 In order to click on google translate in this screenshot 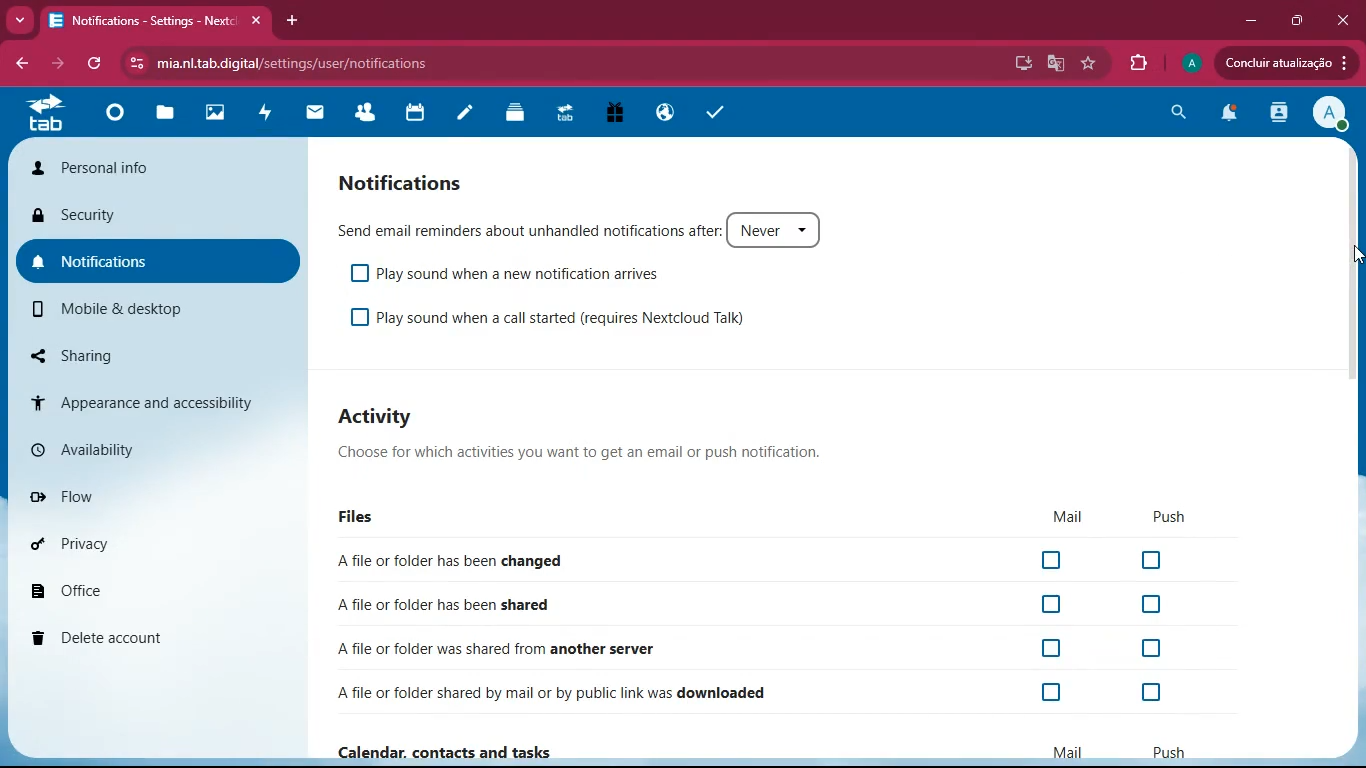, I will do `click(1055, 63)`.